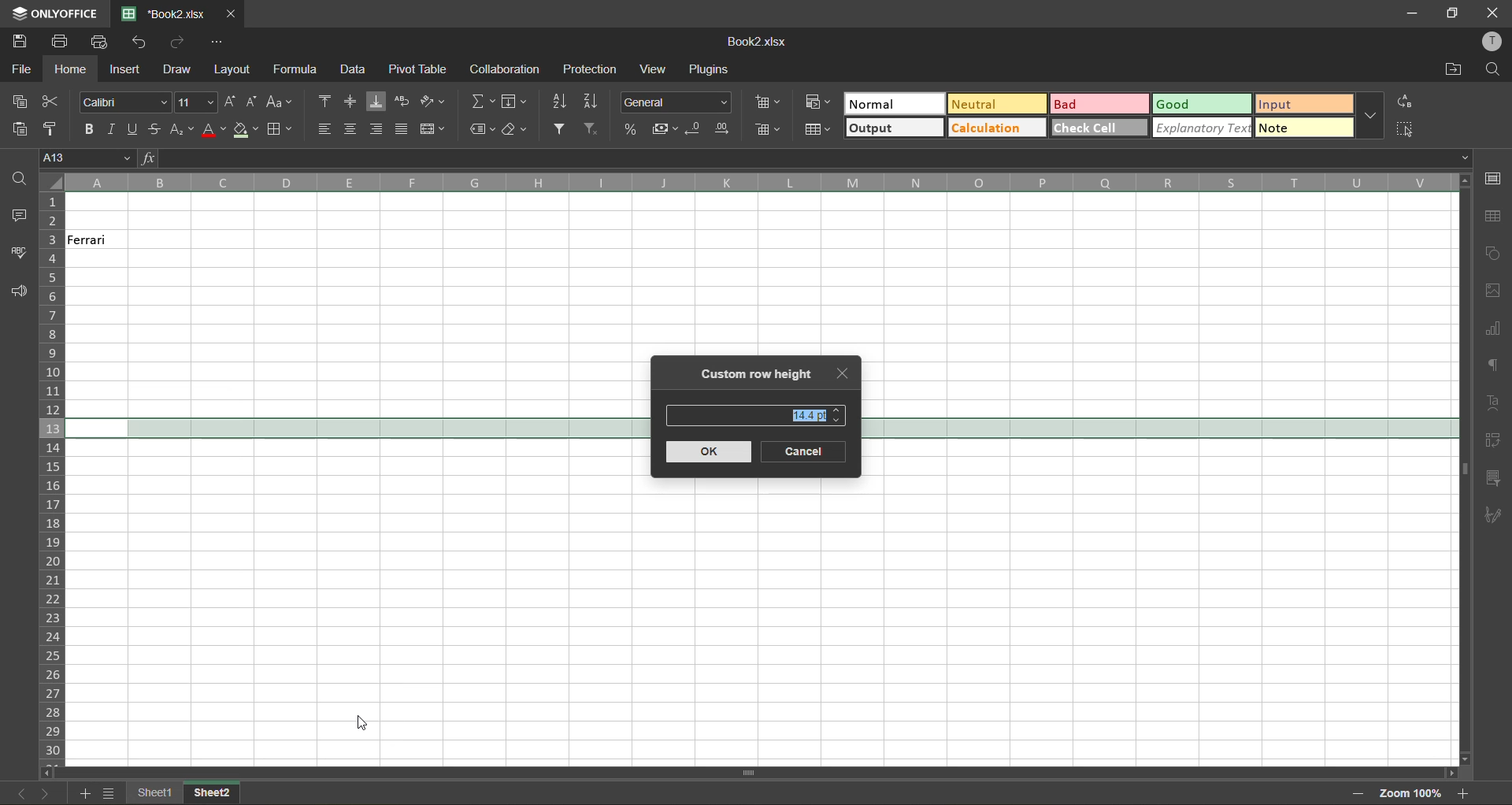 This screenshot has height=805, width=1512. Describe the element at coordinates (1413, 793) in the screenshot. I see `zoom factor` at that location.